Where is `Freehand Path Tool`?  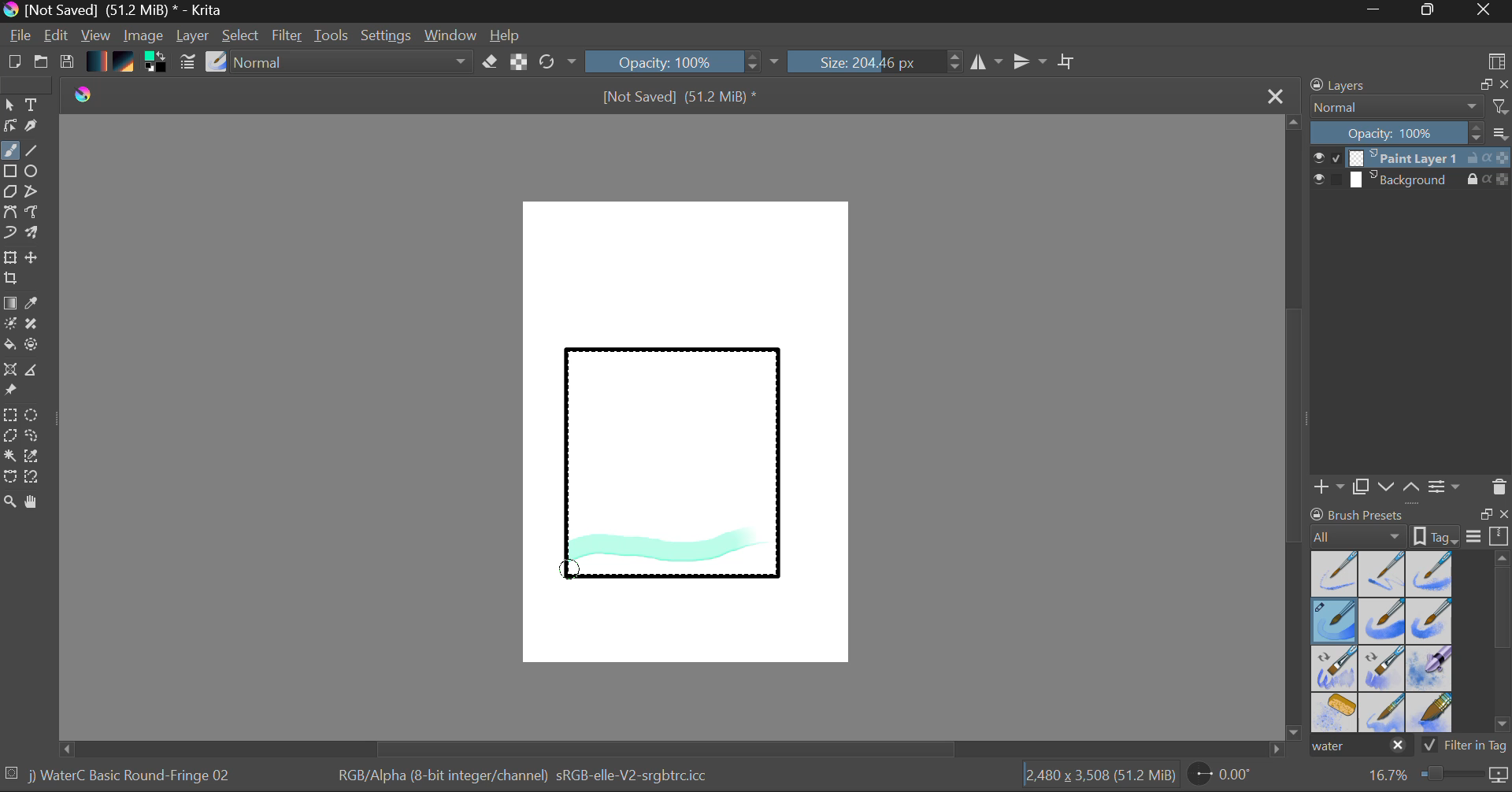
Freehand Path Tool is located at coordinates (31, 213).